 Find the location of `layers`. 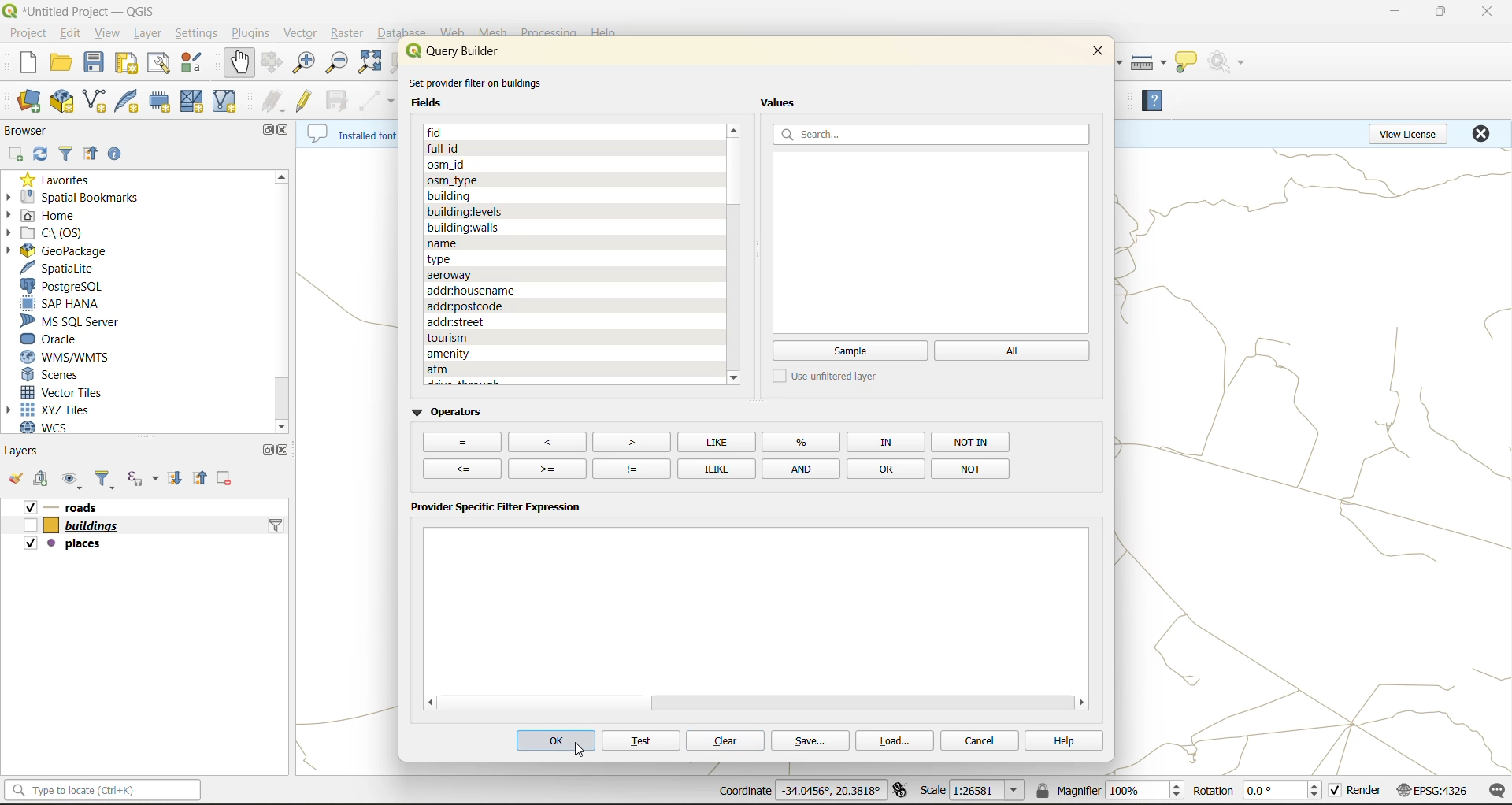

layers is located at coordinates (70, 543).